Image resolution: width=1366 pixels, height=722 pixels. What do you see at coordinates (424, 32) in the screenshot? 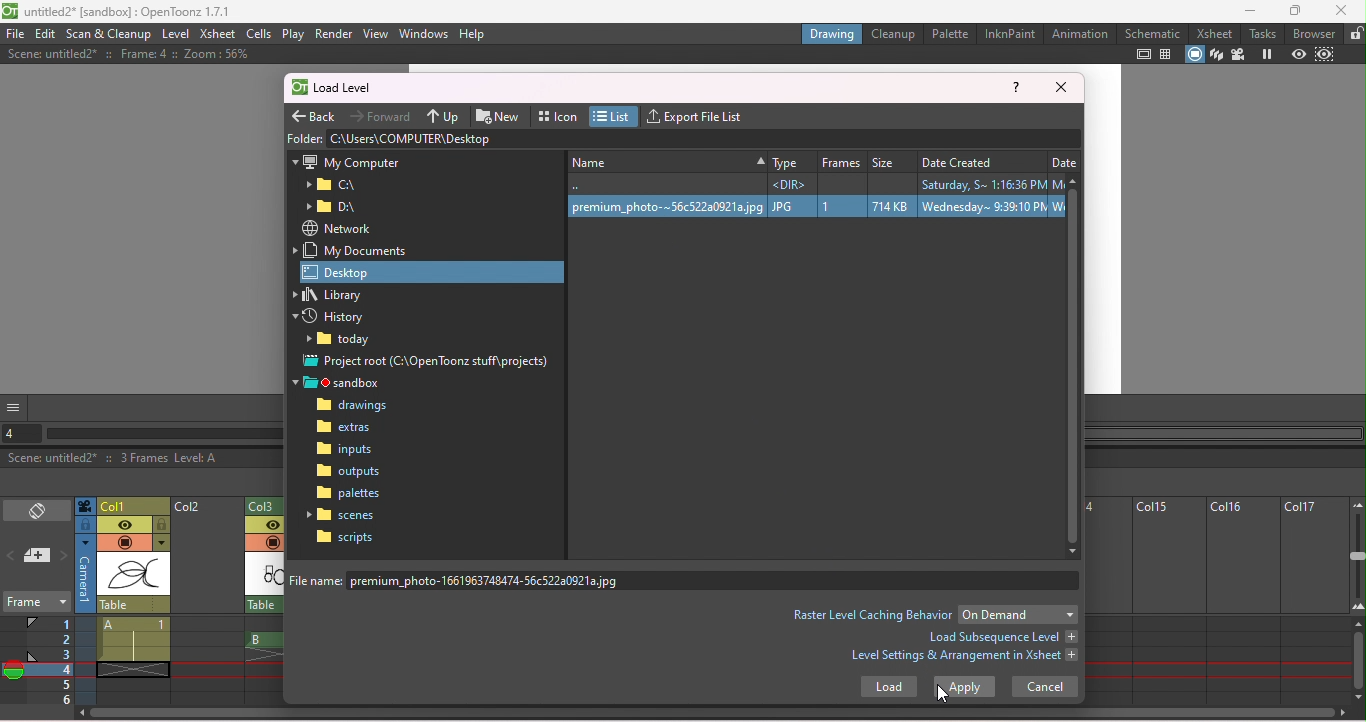
I see `Windows` at bounding box center [424, 32].